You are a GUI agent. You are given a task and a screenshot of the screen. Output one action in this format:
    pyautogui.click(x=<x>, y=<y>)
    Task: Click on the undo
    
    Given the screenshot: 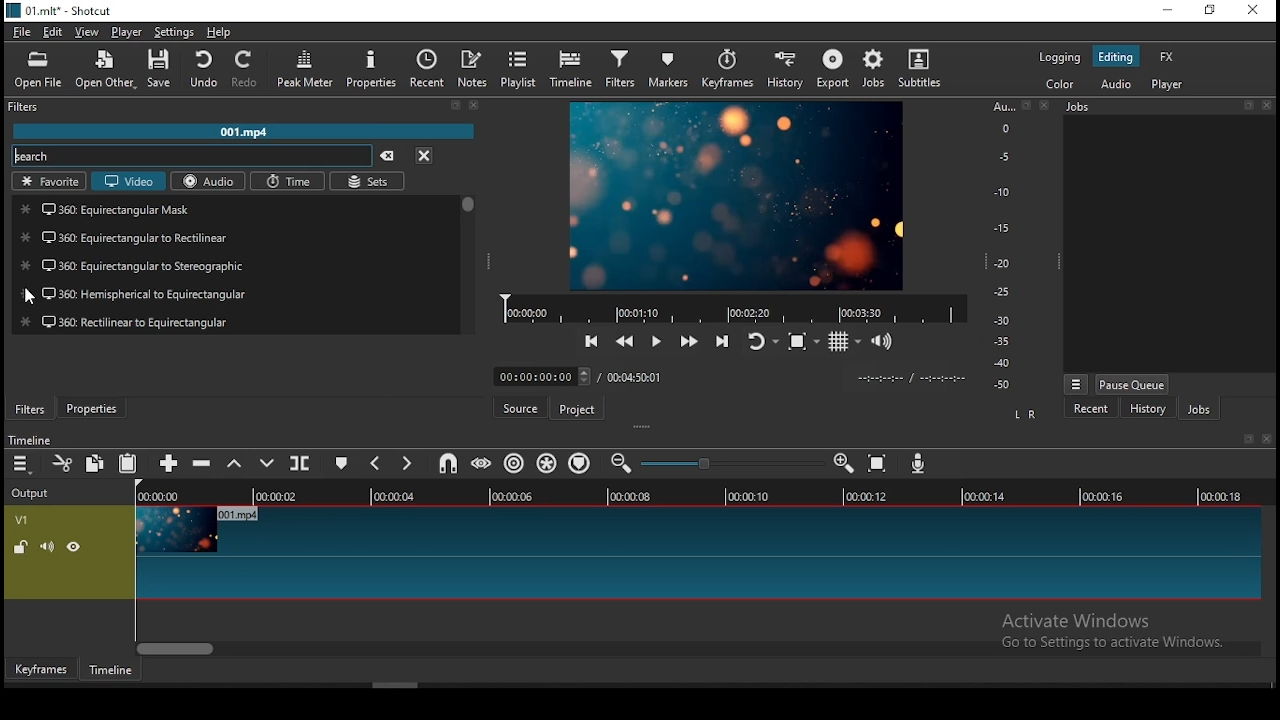 What is the action you would take?
    pyautogui.click(x=208, y=70)
    